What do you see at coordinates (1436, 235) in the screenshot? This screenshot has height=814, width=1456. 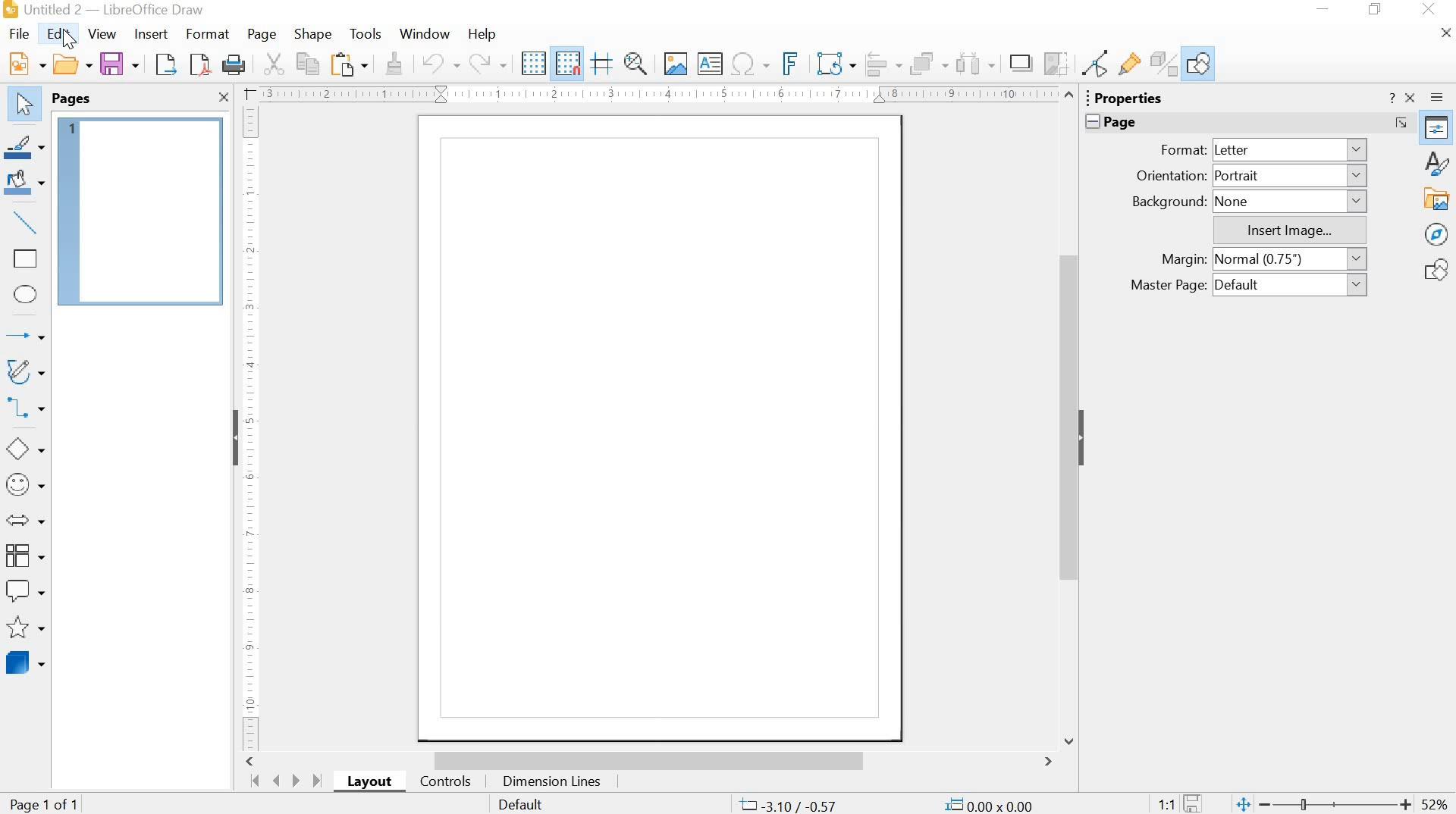 I see `Navigator` at bounding box center [1436, 235].